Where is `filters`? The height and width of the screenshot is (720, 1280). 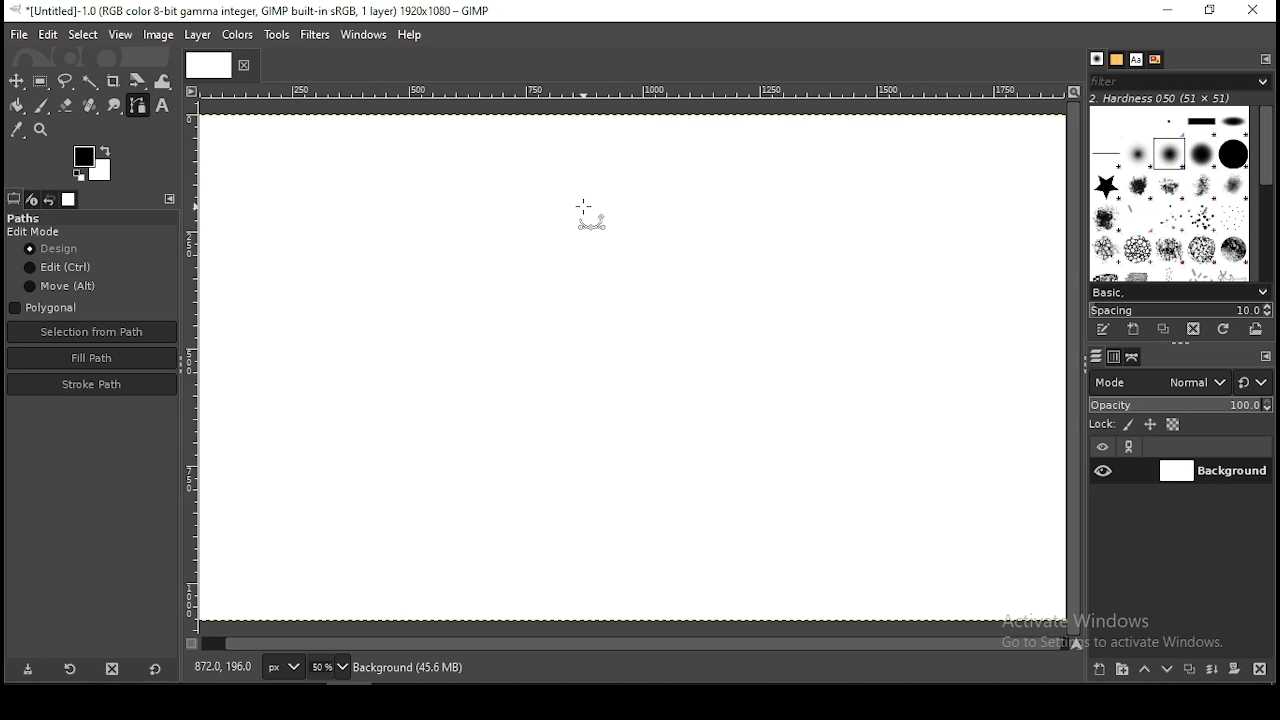
filters is located at coordinates (1184, 83).